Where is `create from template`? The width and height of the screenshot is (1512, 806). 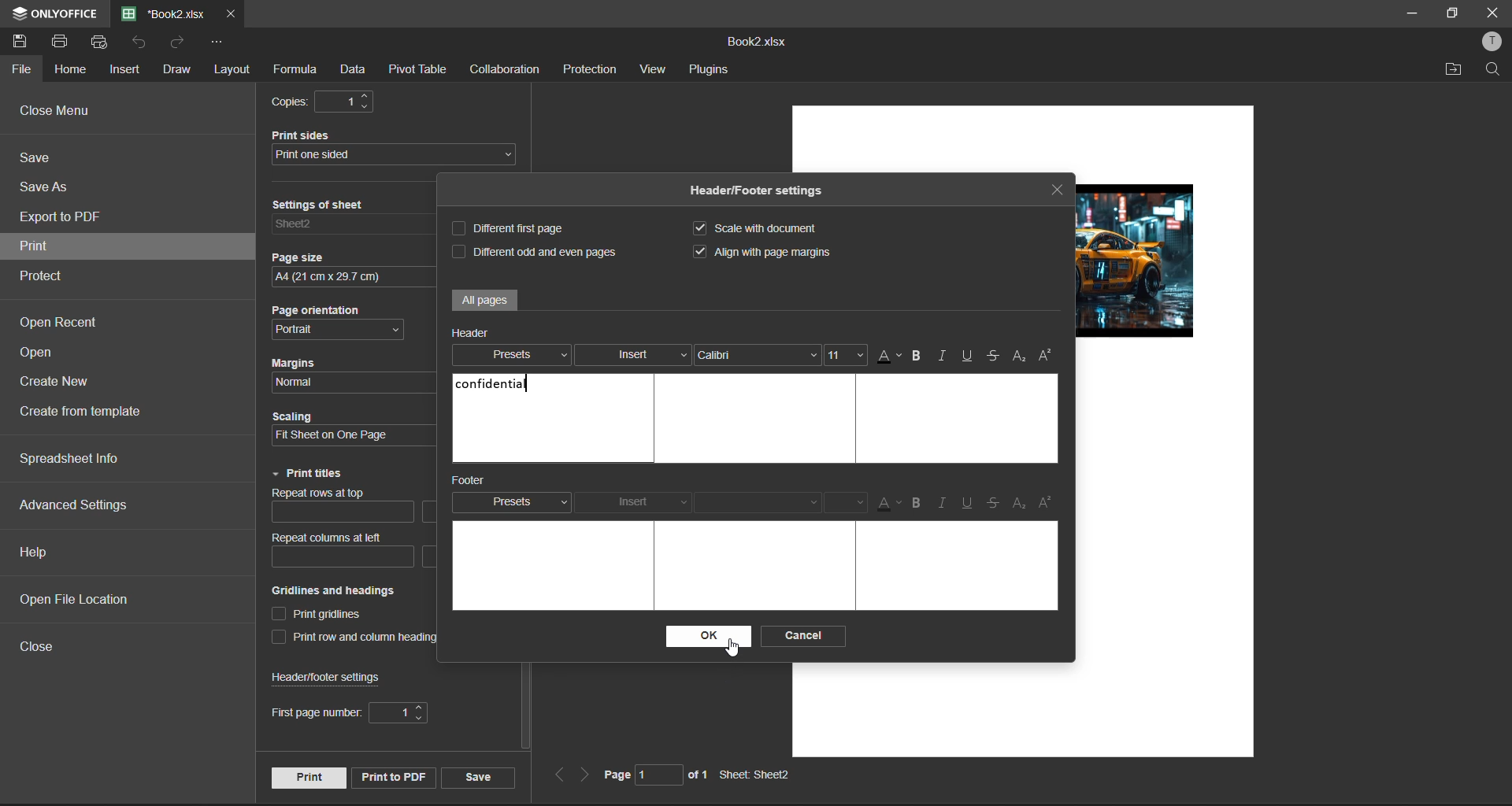 create from template is located at coordinates (89, 412).